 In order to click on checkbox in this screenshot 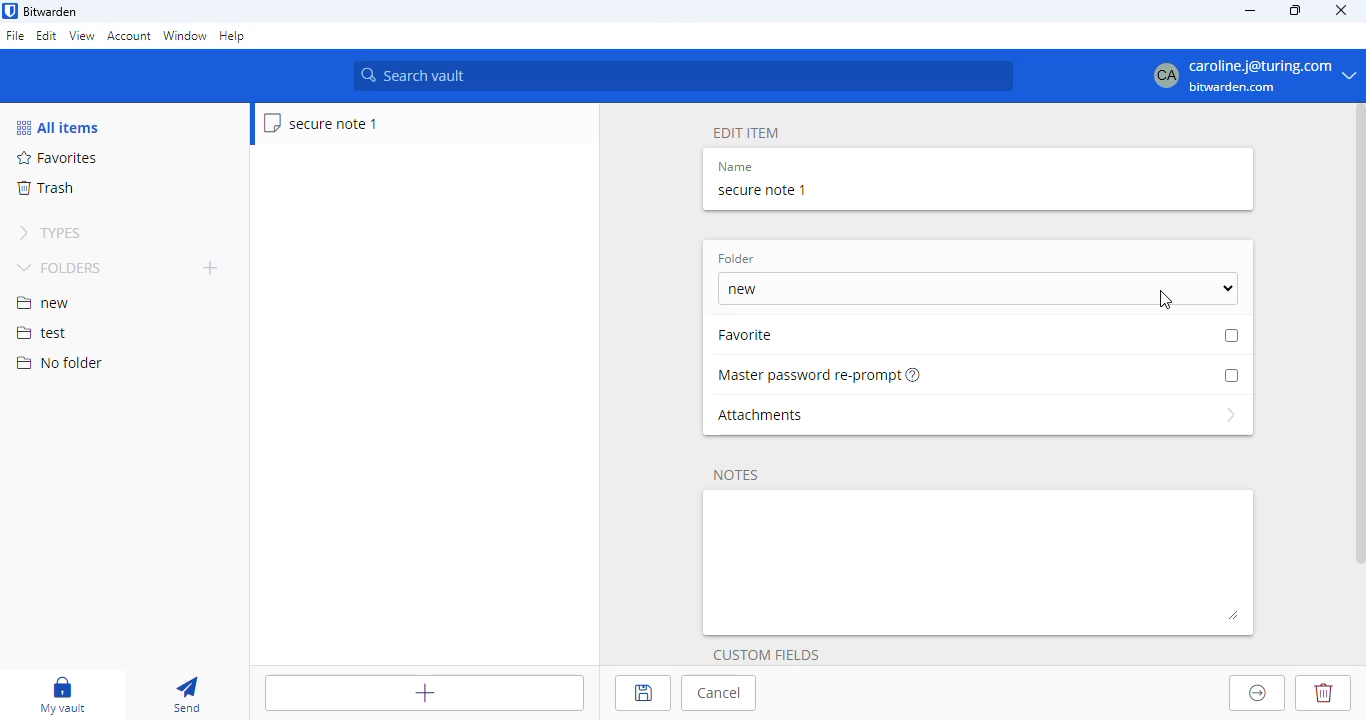, I will do `click(1232, 335)`.